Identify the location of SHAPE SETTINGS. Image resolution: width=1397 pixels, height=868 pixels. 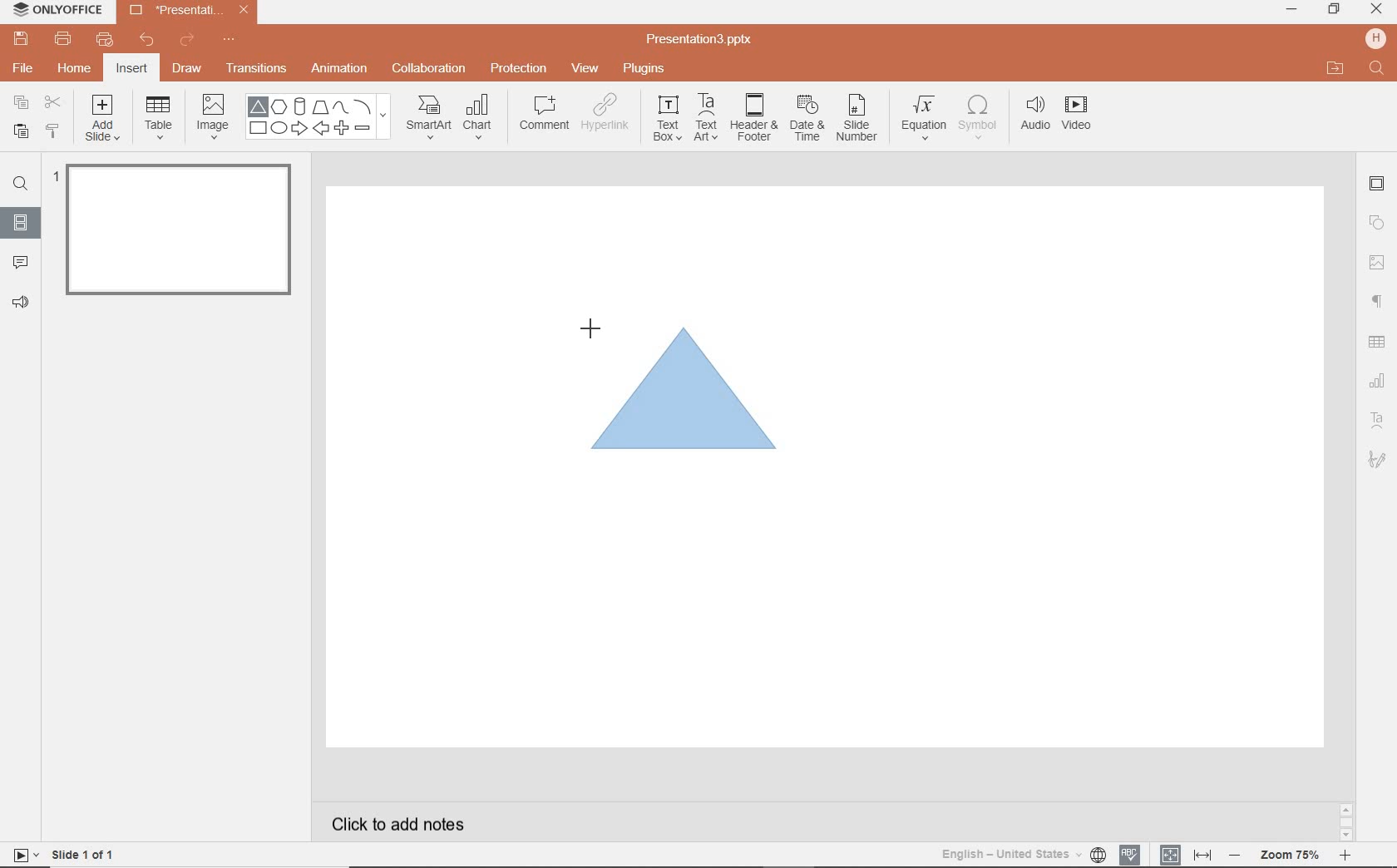
(1375, 222).